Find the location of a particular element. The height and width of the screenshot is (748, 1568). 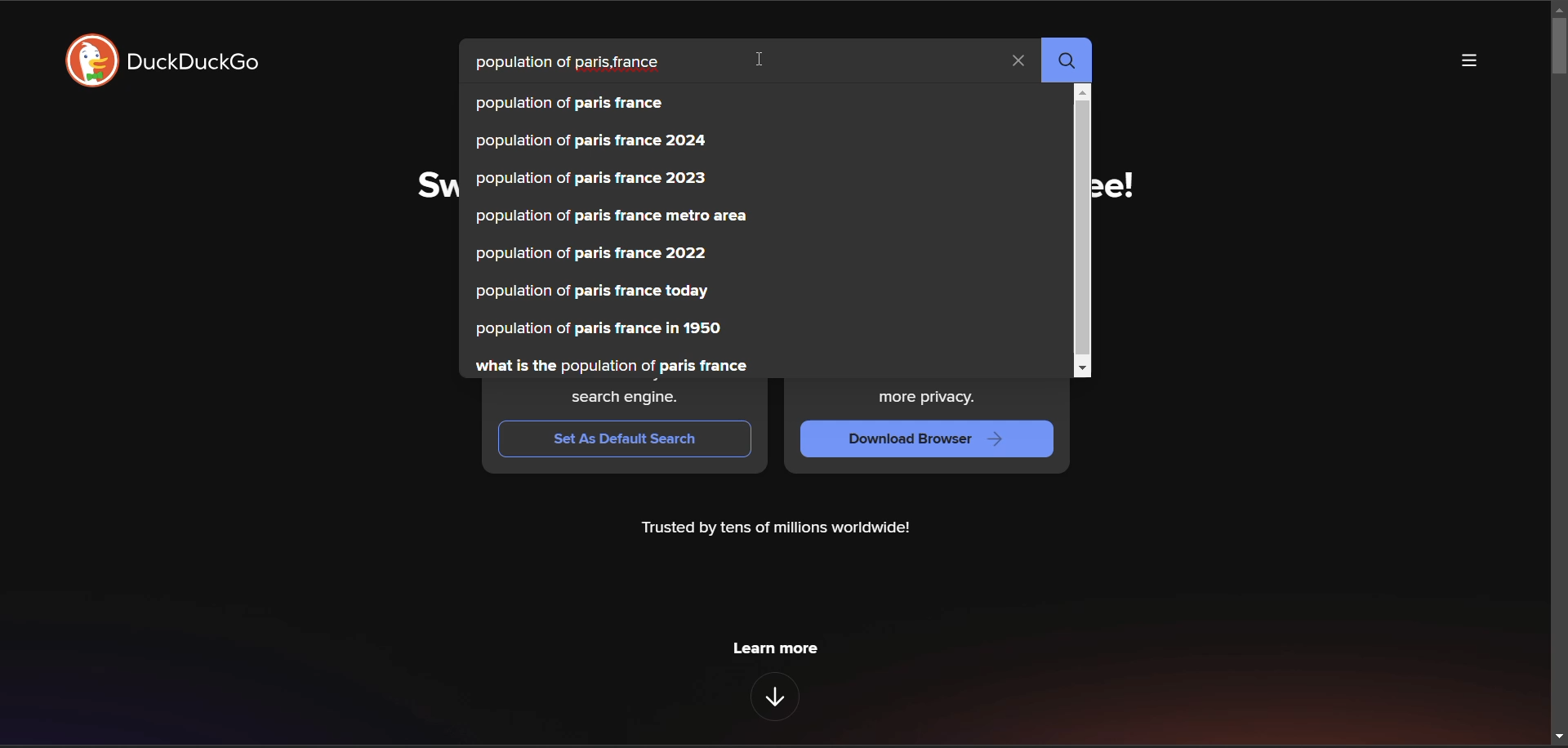

population of paris france in 1950 is located at coordinates (599, 330).